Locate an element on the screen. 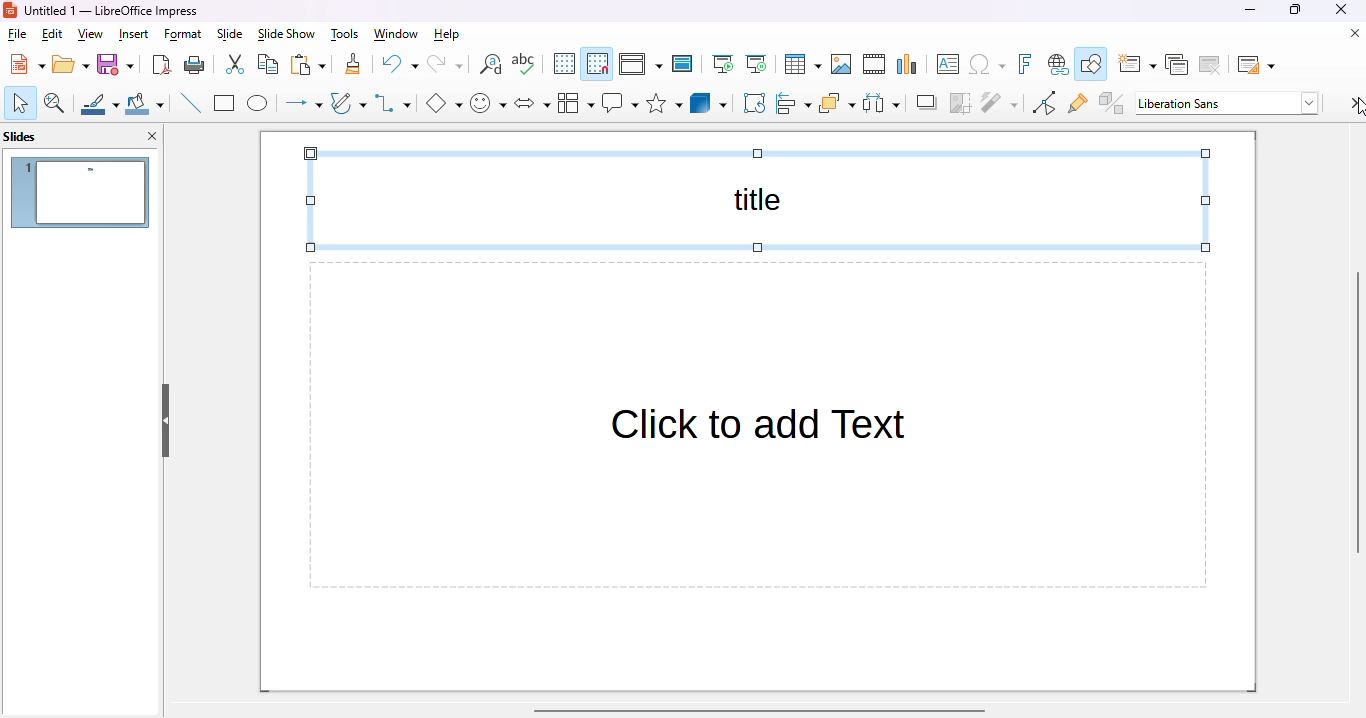 The height and width of the screenshot is (718, 1366). table is located at coordinates (803, 64).